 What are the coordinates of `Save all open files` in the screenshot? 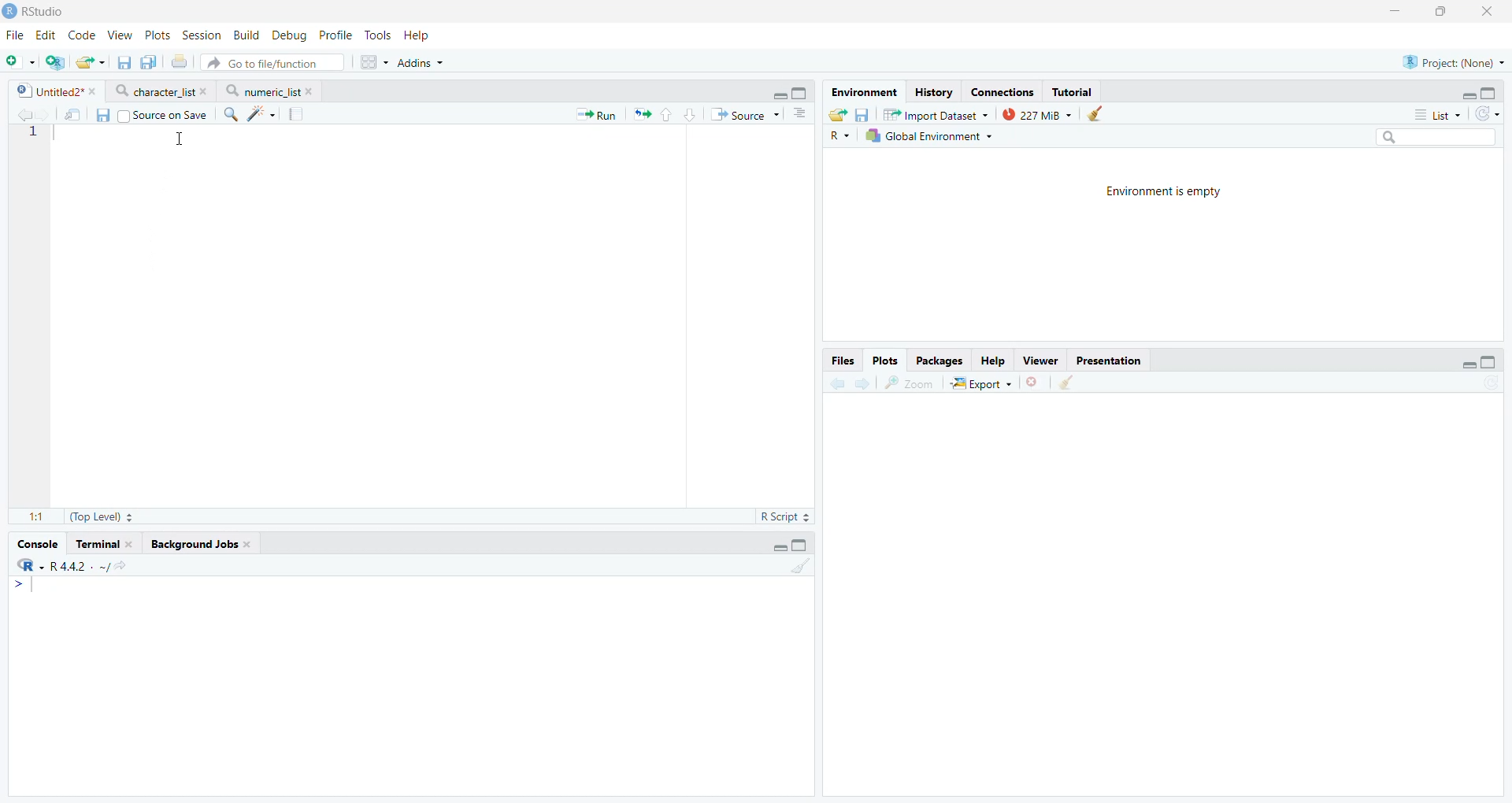 It's located at (146, 62).